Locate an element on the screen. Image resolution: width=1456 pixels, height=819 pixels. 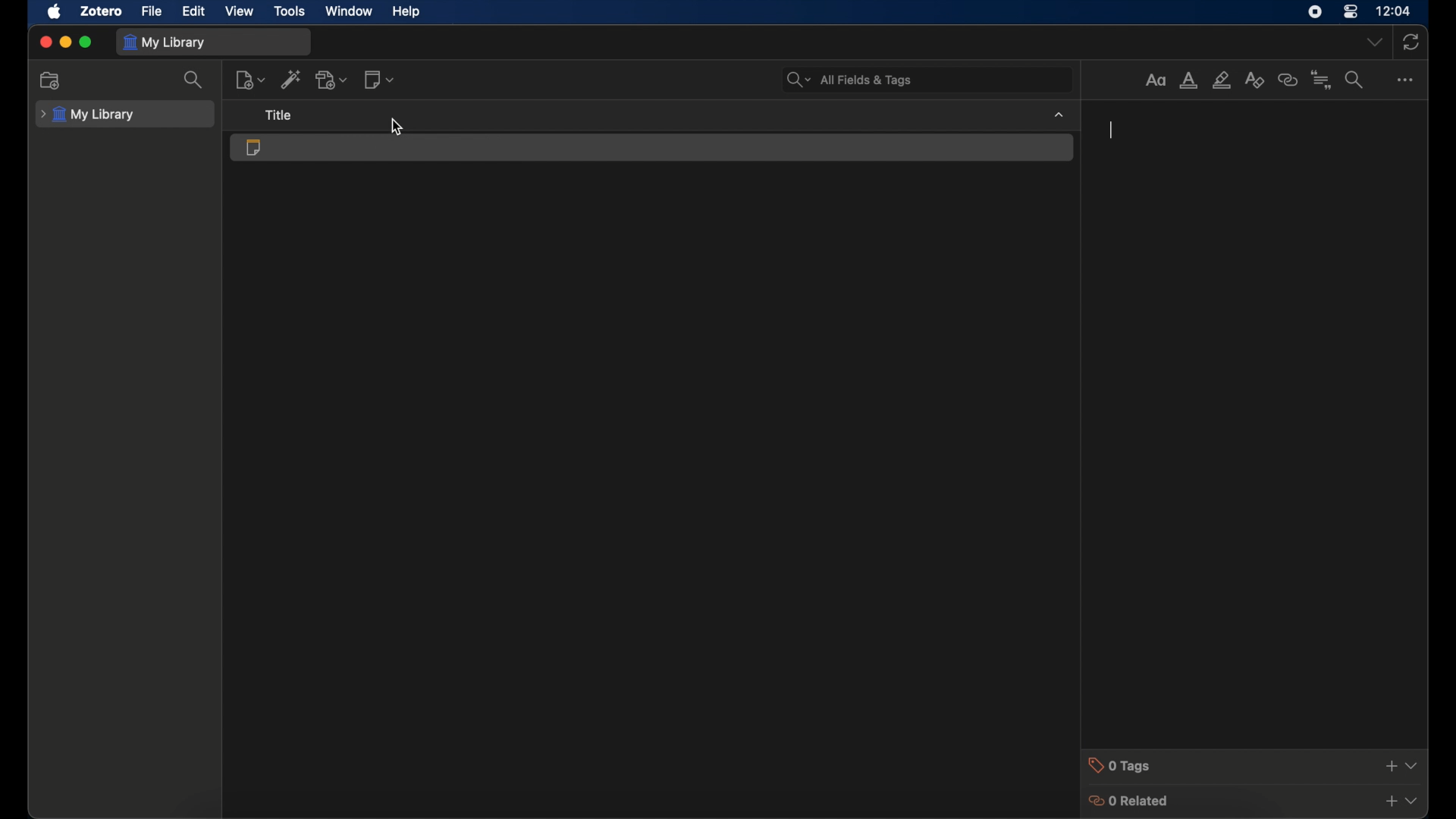
sync is located at coordinates (1411, 43).